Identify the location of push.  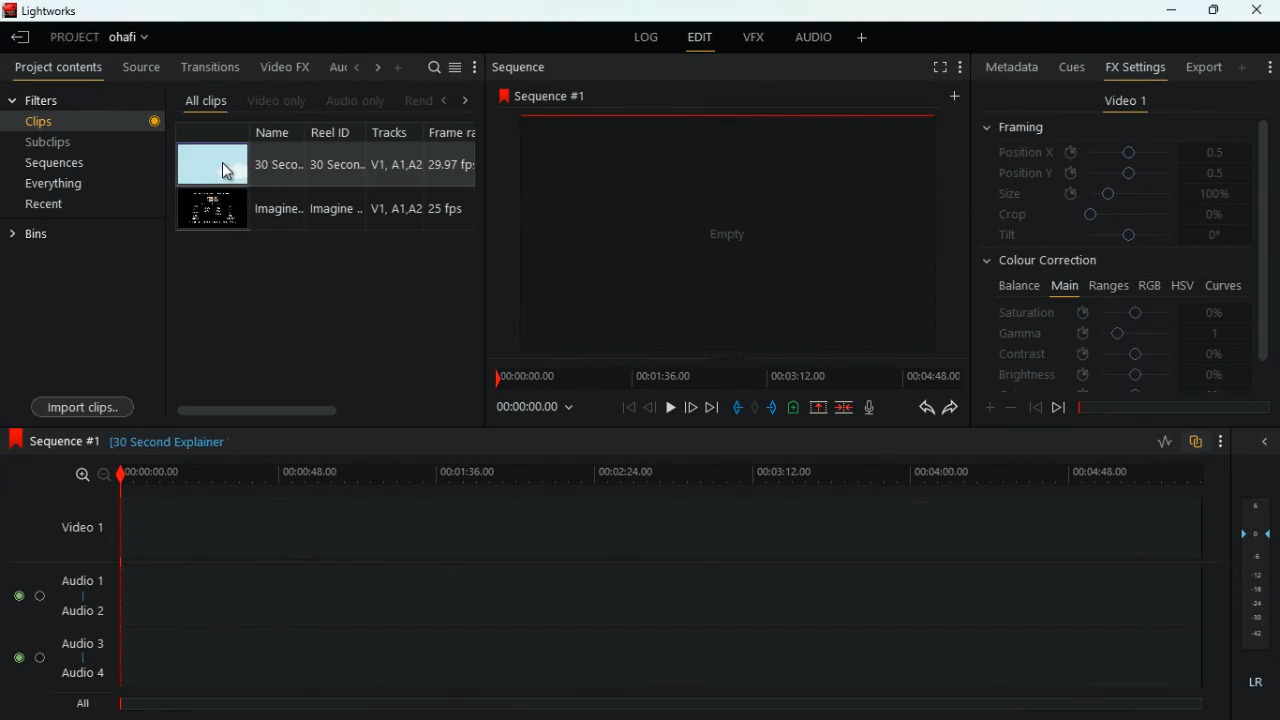
(772, 408).